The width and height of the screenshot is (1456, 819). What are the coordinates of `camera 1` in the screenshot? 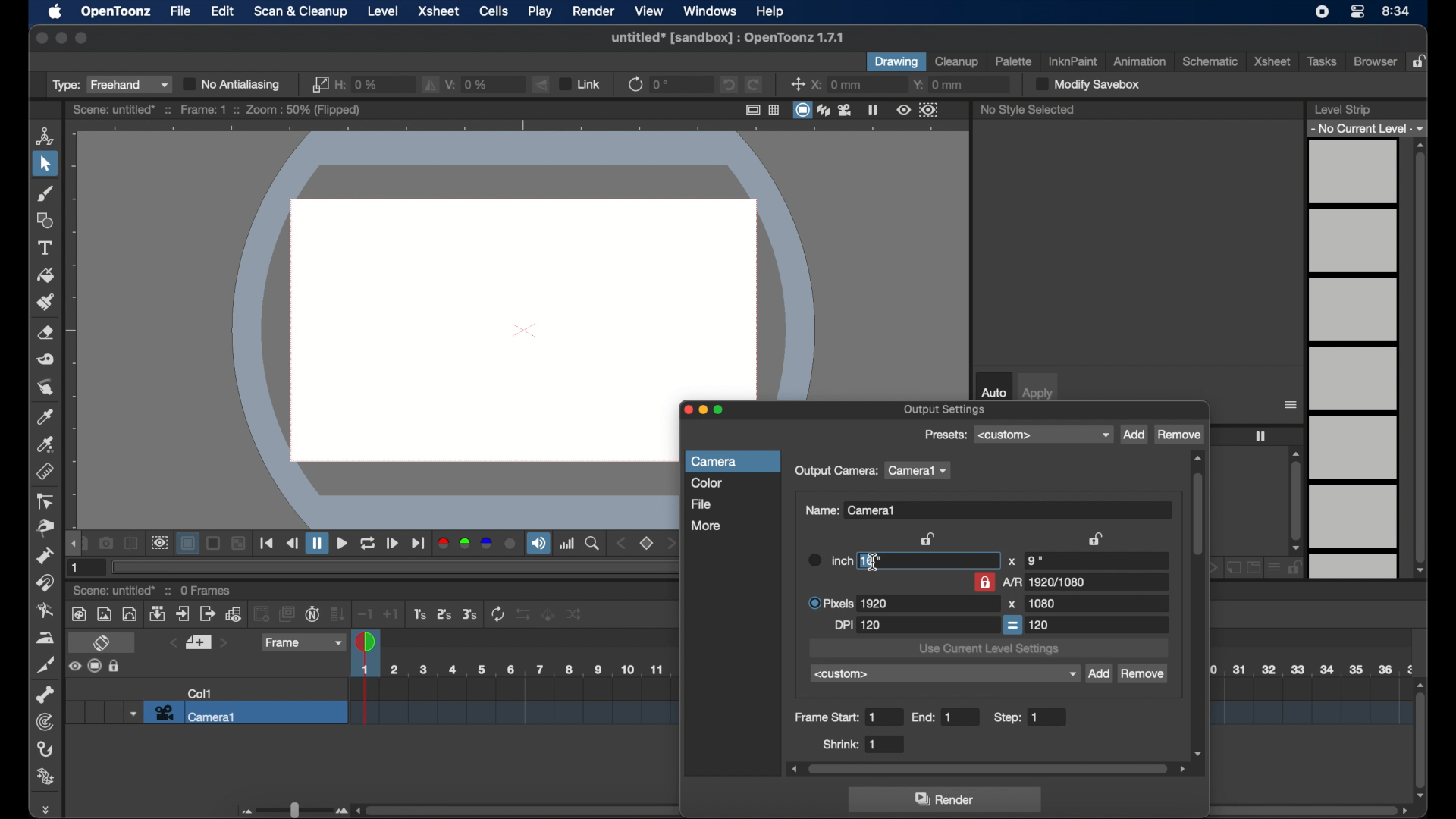 It's located at (246, 713).